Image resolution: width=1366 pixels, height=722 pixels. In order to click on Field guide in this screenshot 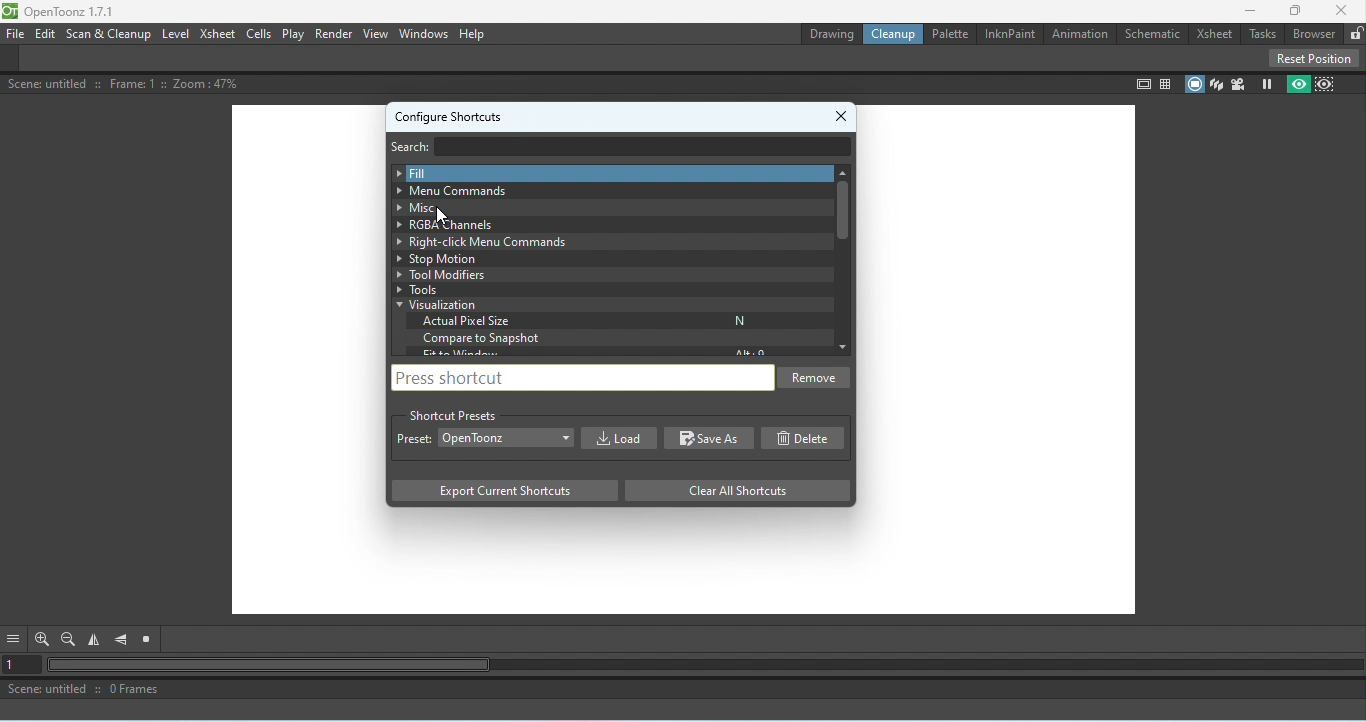, I will do `click(1166, 83)`.